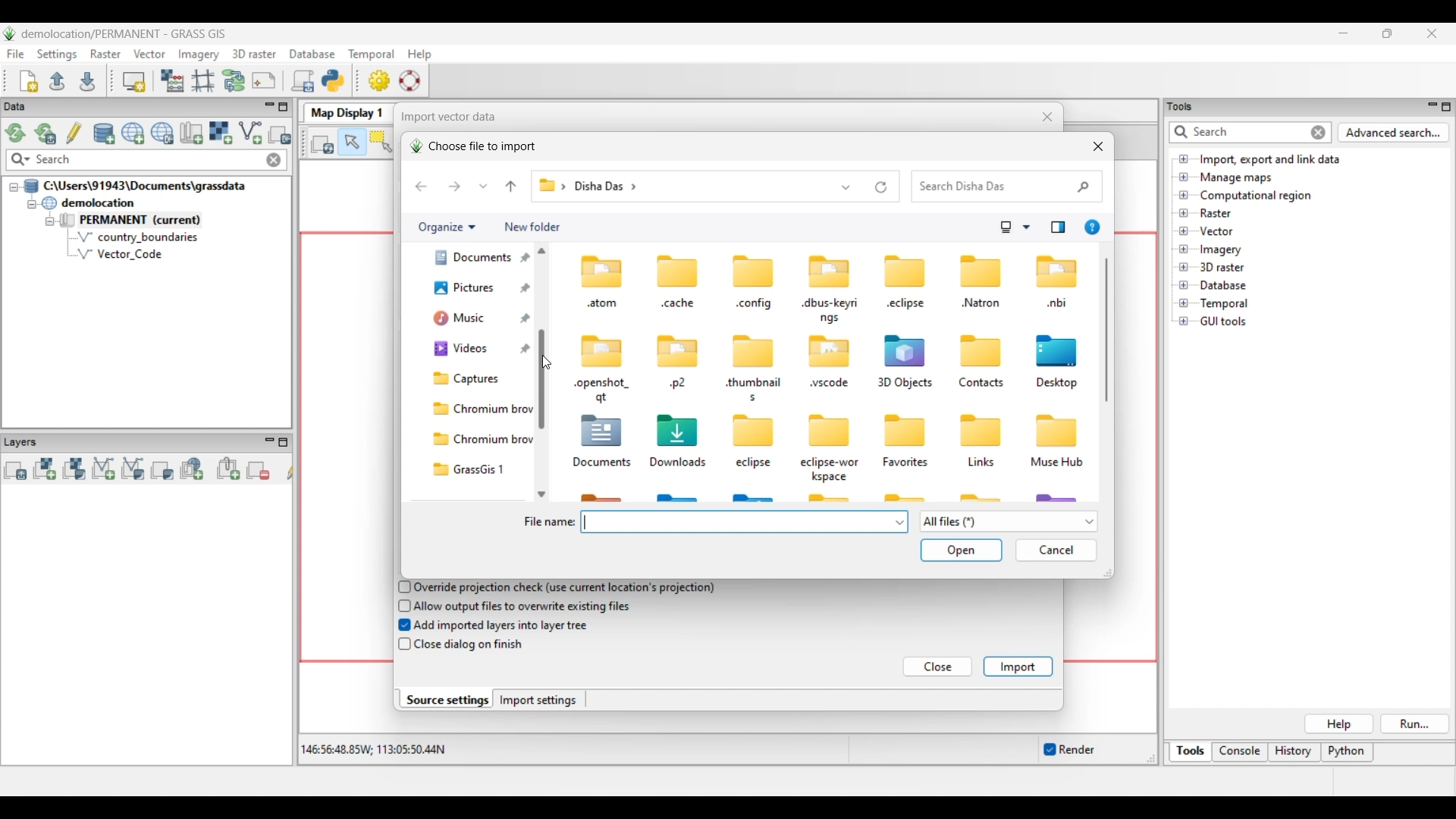  I want to click on File menu, so click(16, 54).